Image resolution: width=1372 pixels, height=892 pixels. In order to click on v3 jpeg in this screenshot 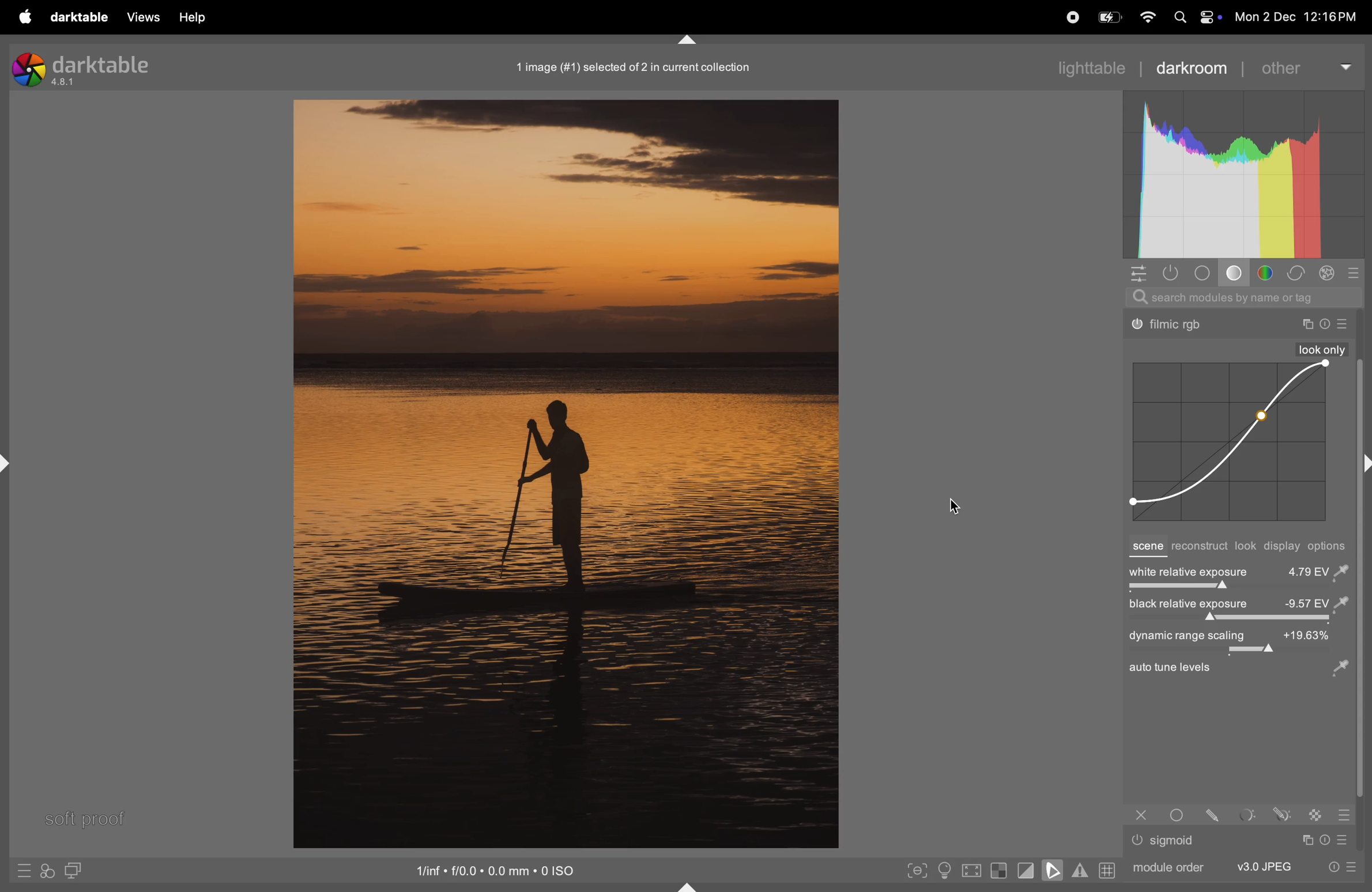, I will do `click(1264, 866)`.